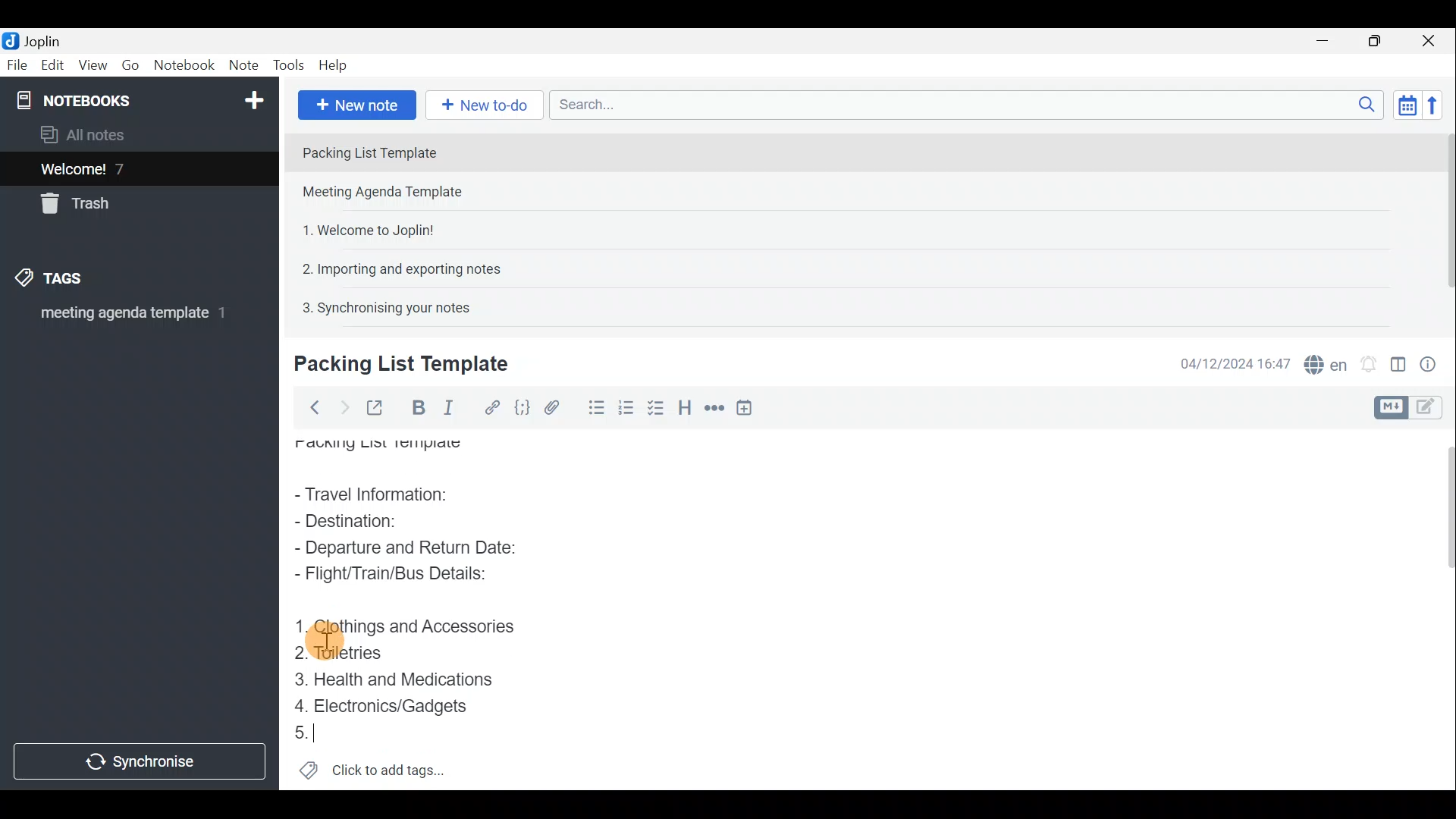 The height and width of the screenshot is (819, 1456). I want to click on Code, so click(522, 406).